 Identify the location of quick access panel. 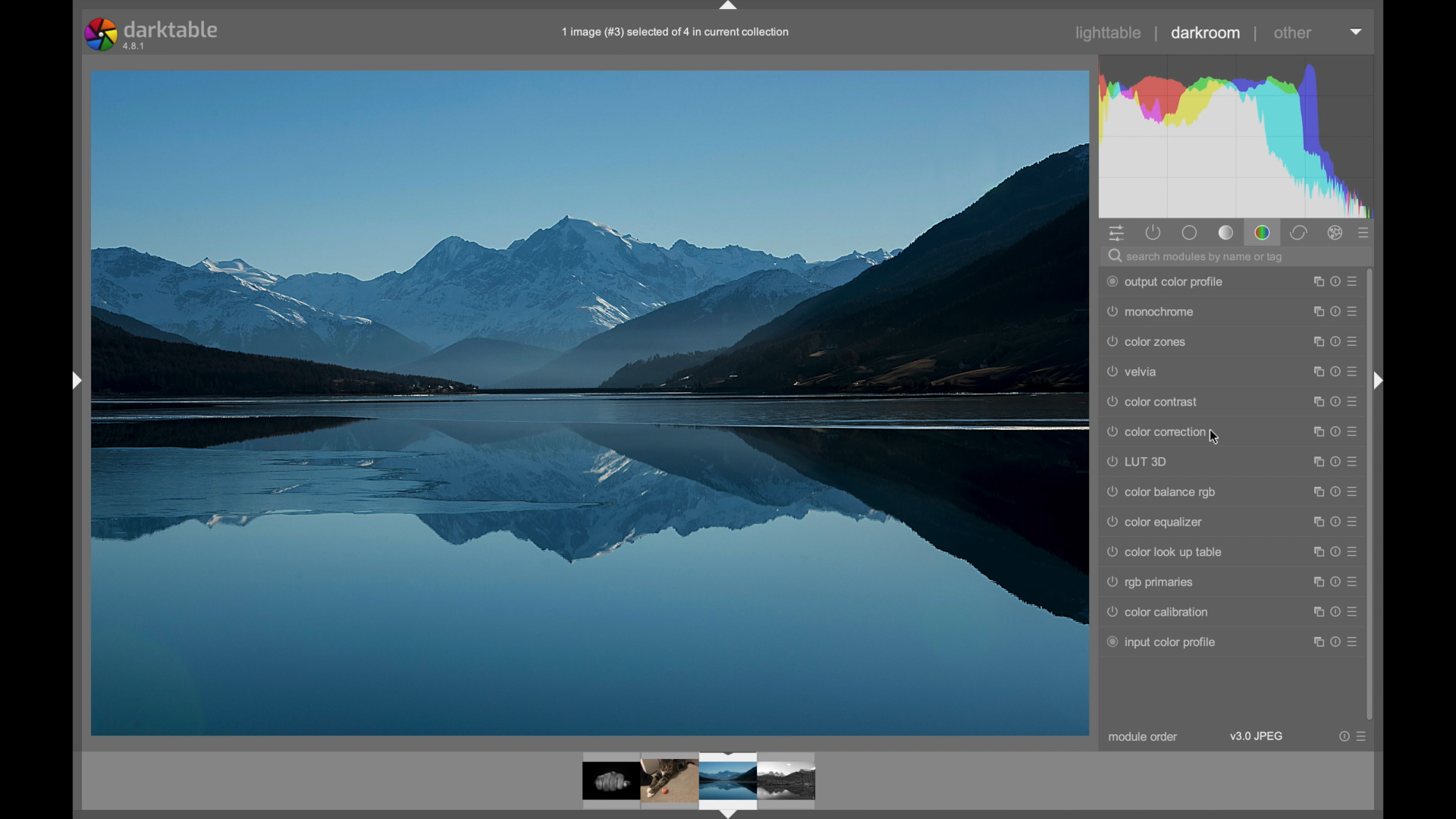
(1119, 234).